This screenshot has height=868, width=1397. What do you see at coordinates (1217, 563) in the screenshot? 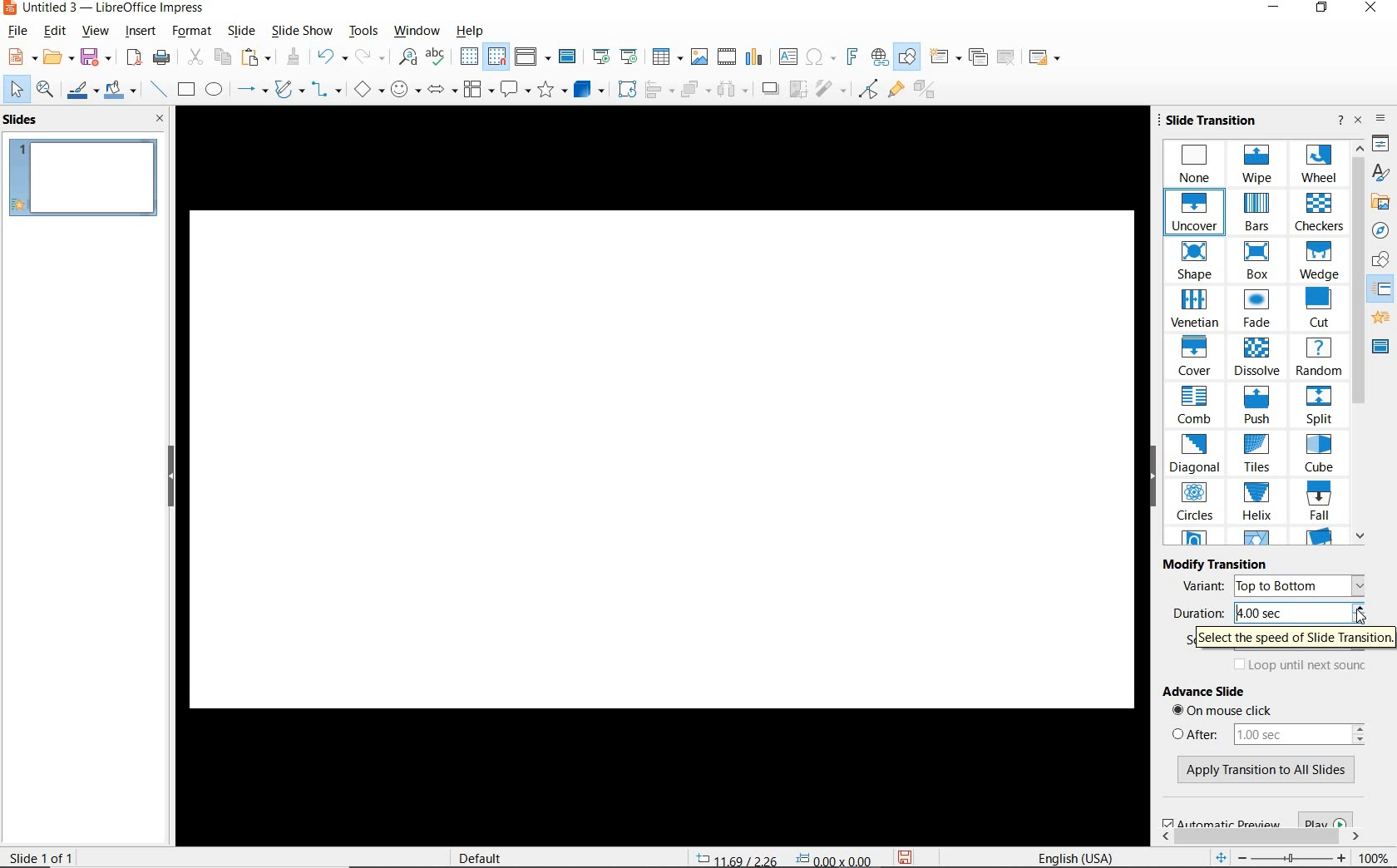
I see `MODIFY TRANSITION` at bounding box center [1217, 563].